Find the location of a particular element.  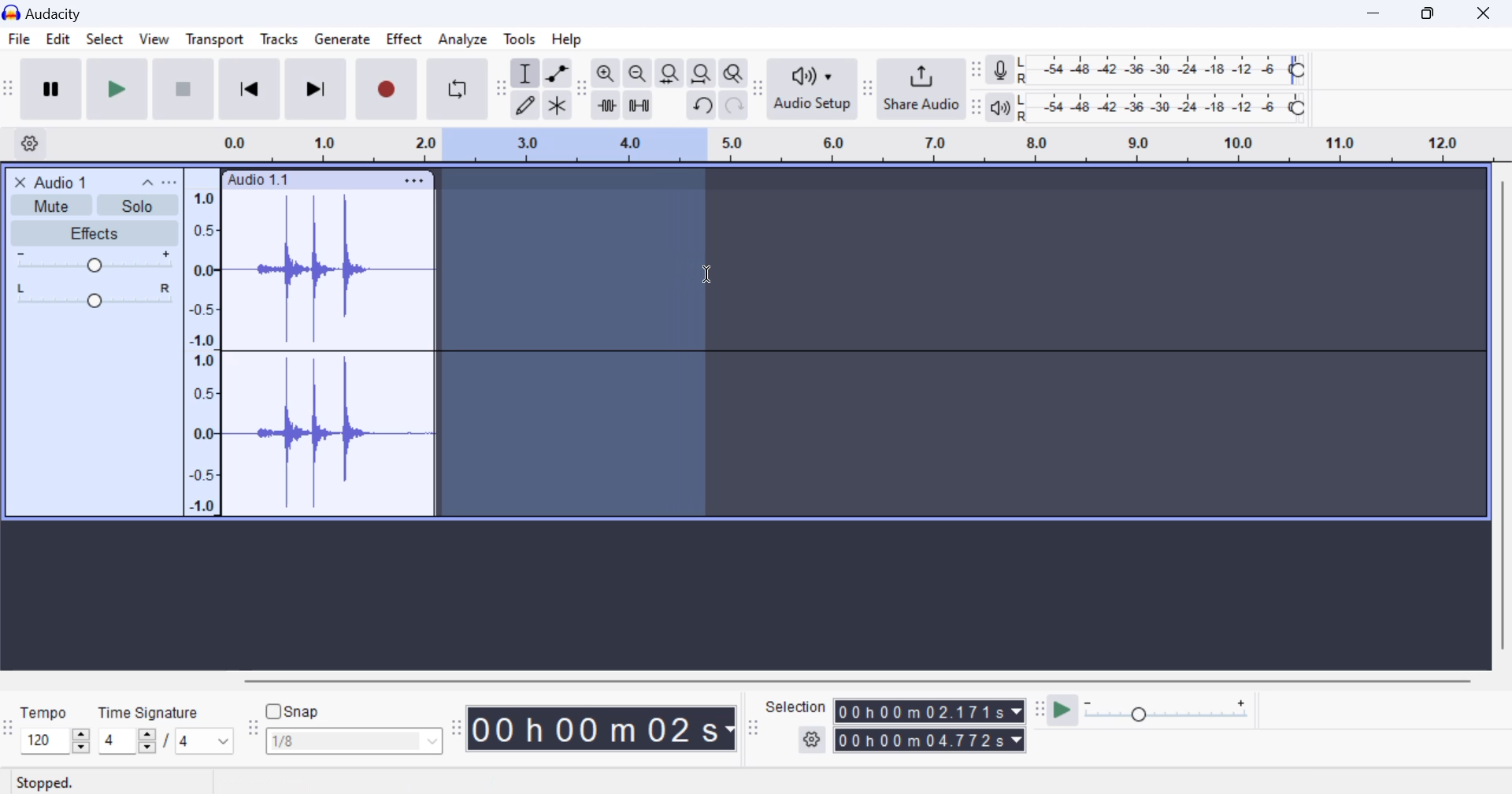

Generate is located at coordinates (342, 40).